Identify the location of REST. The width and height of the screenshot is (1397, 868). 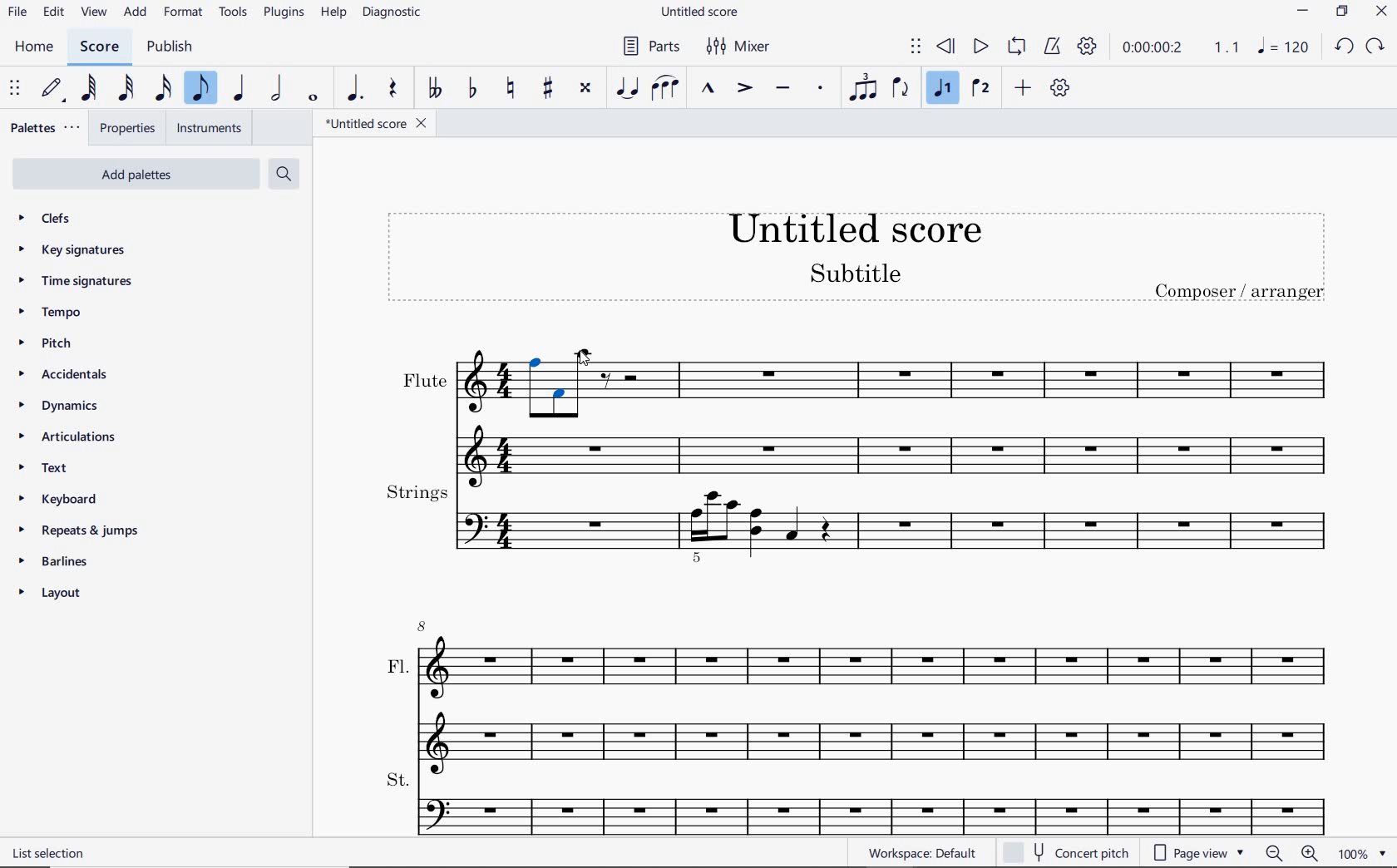
(393, 90).